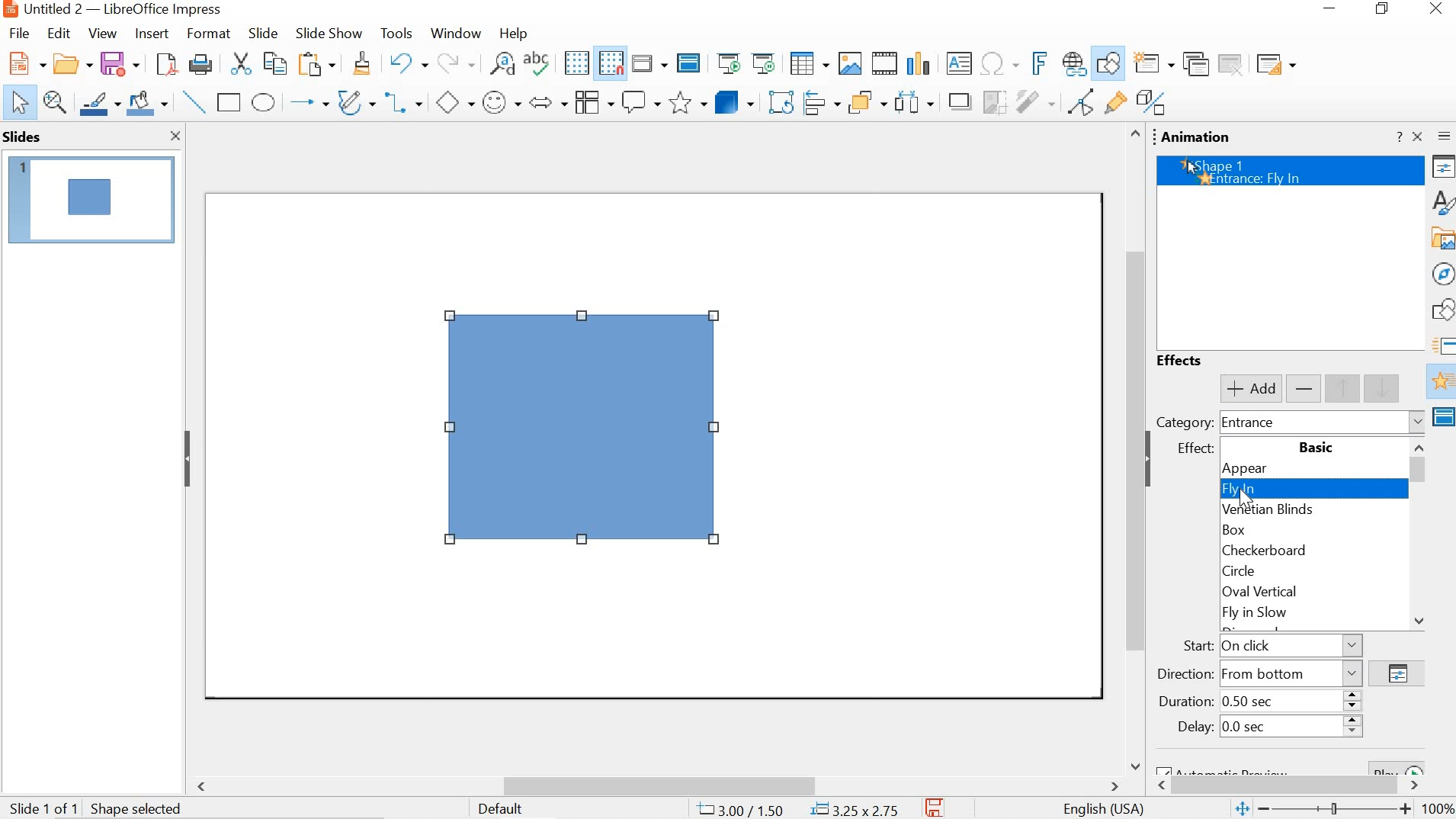  Describe the element at coordinates (1114, 102) in the screenshot. I see `gluepoint function` at that location.